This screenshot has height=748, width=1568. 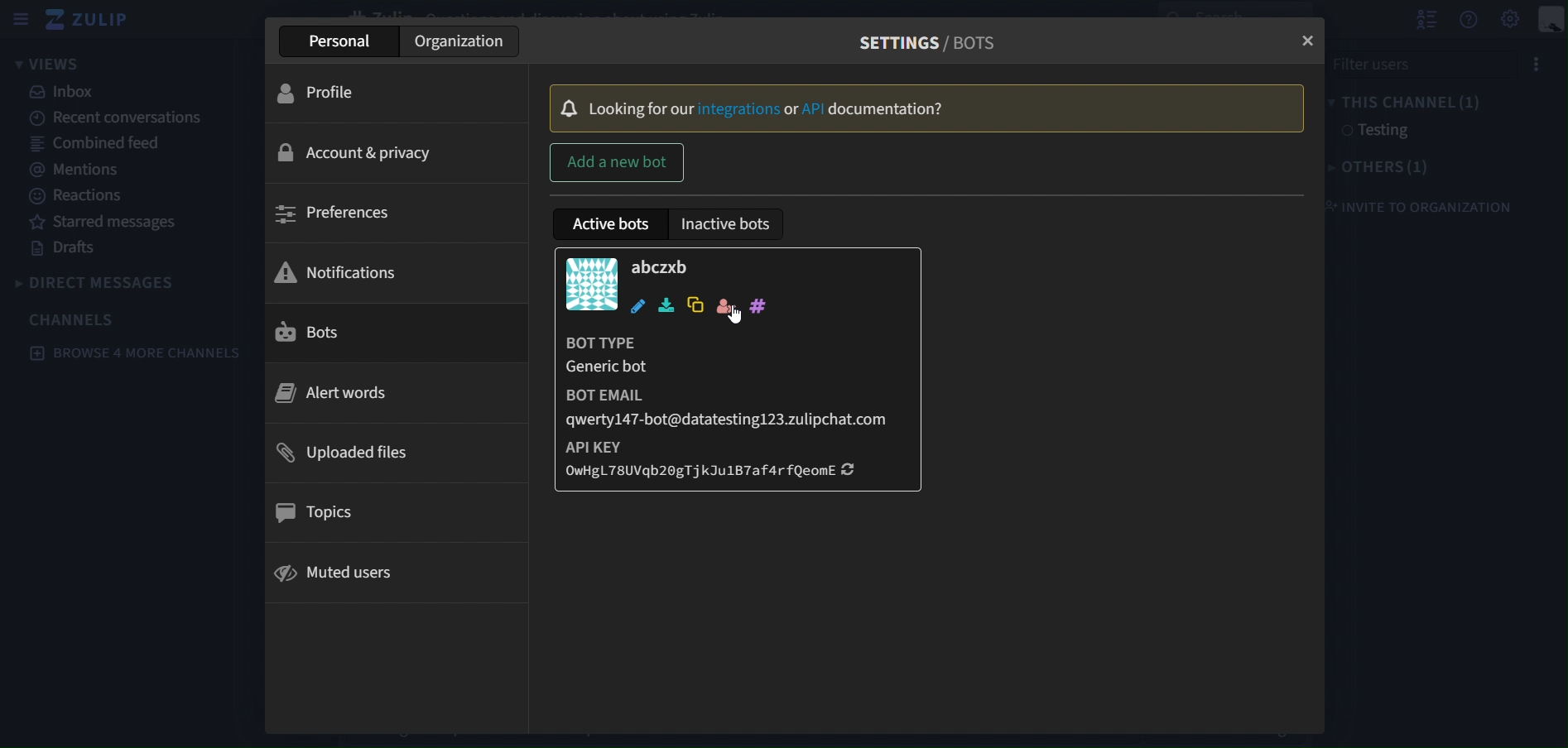 What do you see at coordinates (344, 569) in the screenshot?
I see `muted users` at bounding box center [344, 569].